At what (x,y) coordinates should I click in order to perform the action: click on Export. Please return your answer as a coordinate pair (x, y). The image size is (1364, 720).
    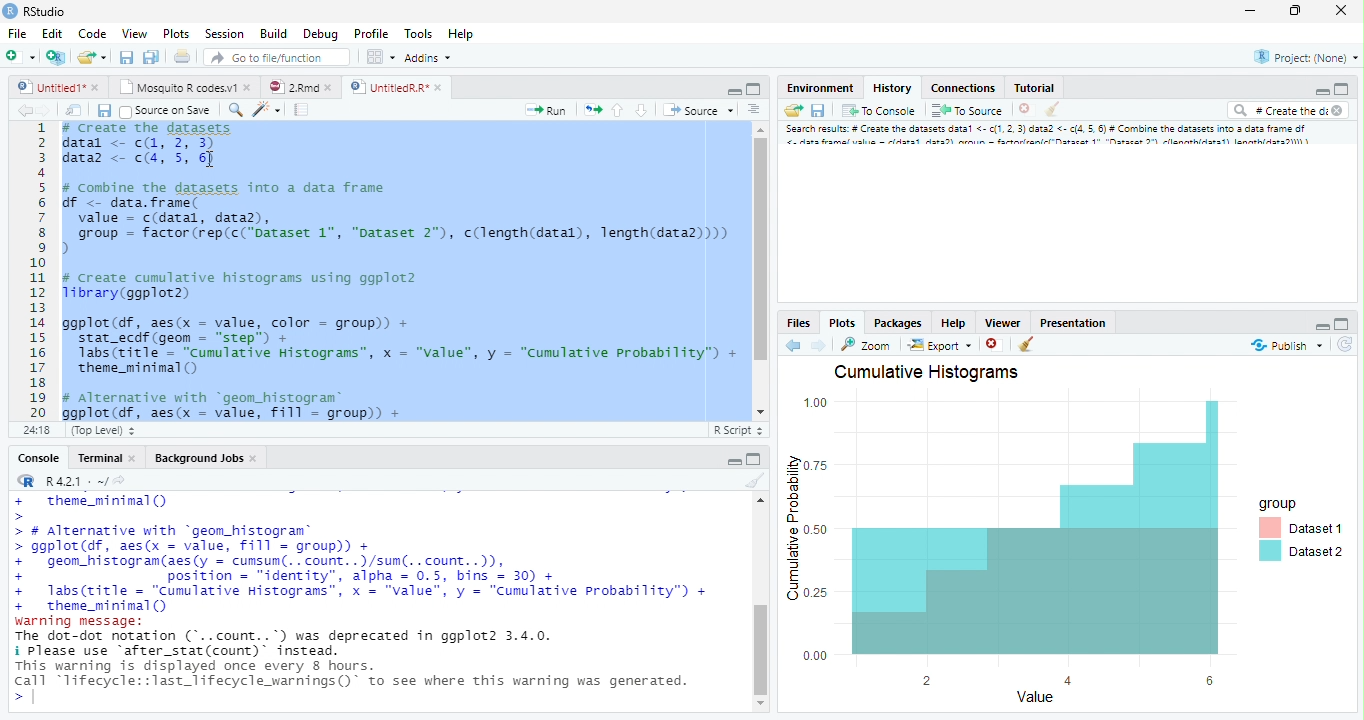
    Looking at the image, I should click on (940, 345).